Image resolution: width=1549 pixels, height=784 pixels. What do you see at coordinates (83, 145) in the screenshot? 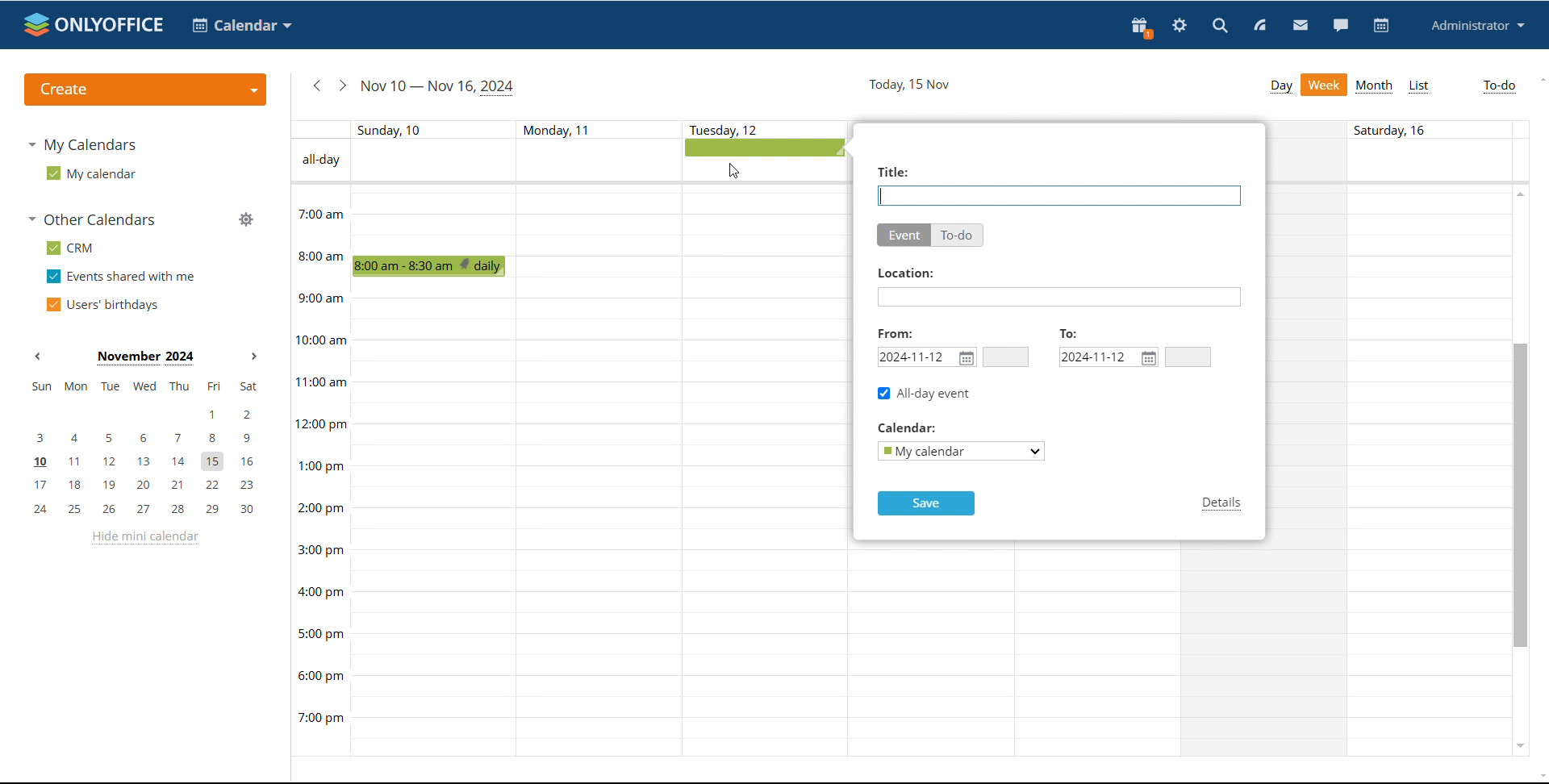
I see `my calendars` at bounding box center [83, 145].